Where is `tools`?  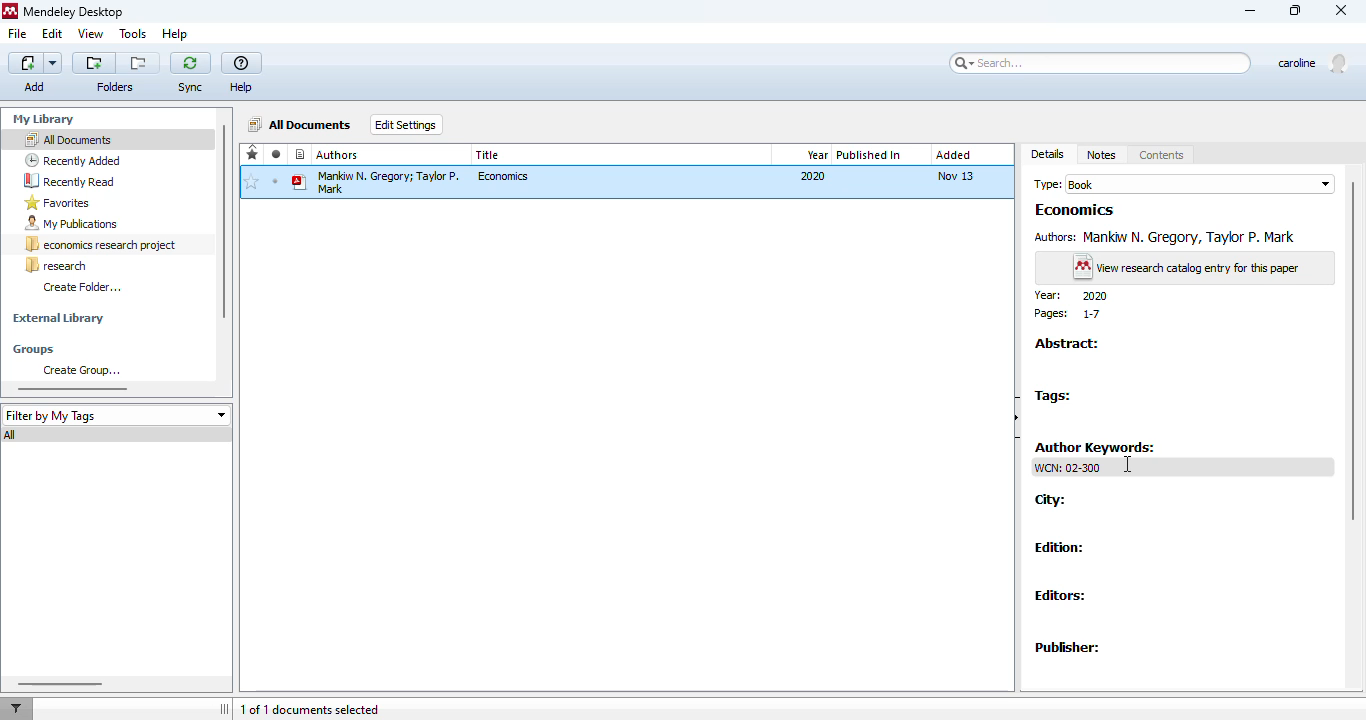
tools is located at coordinates (133, 34).